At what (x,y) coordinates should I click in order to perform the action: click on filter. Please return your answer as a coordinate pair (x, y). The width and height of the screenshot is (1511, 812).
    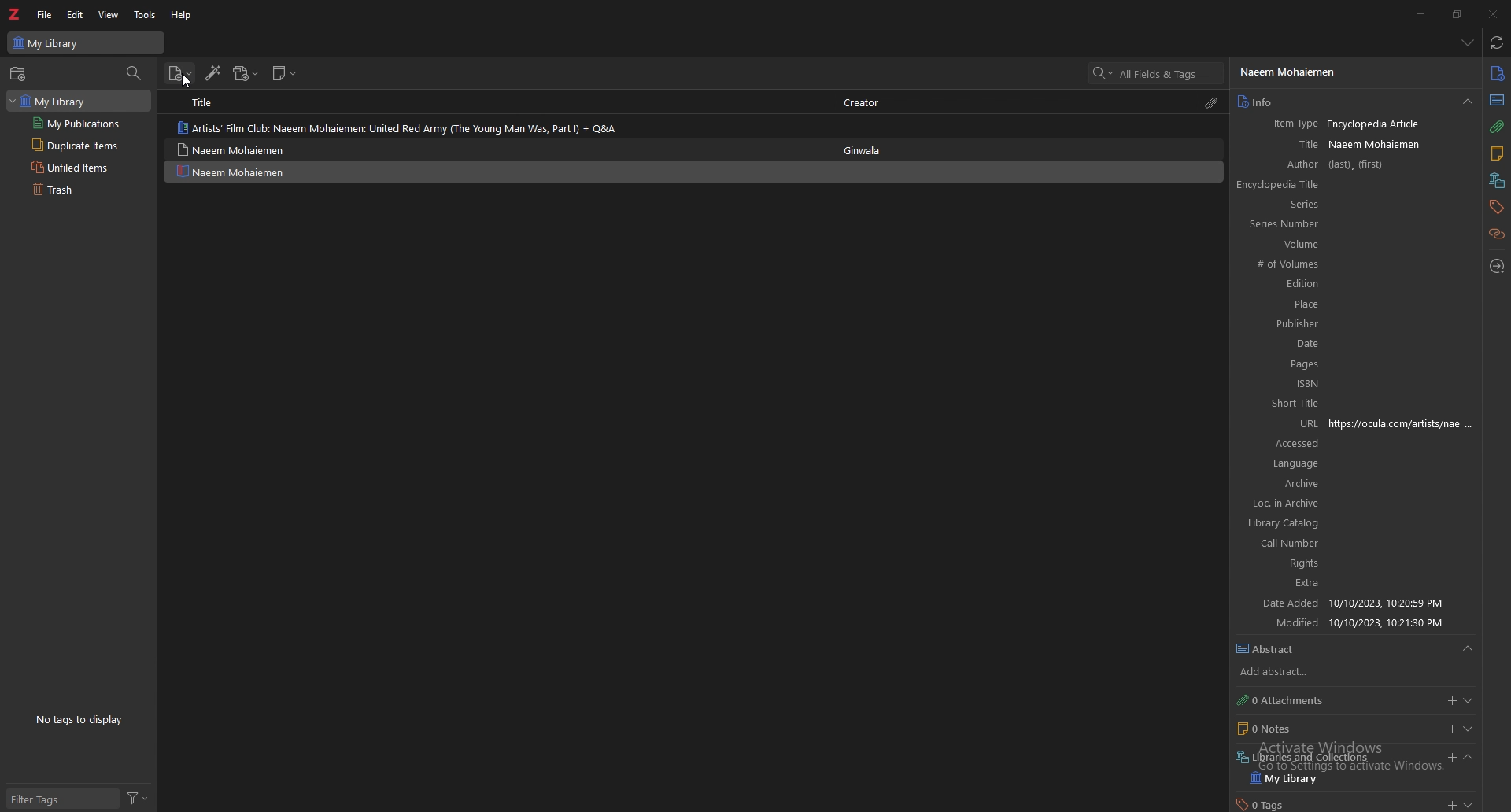
    Looking at the image, I should click on (138, 798).